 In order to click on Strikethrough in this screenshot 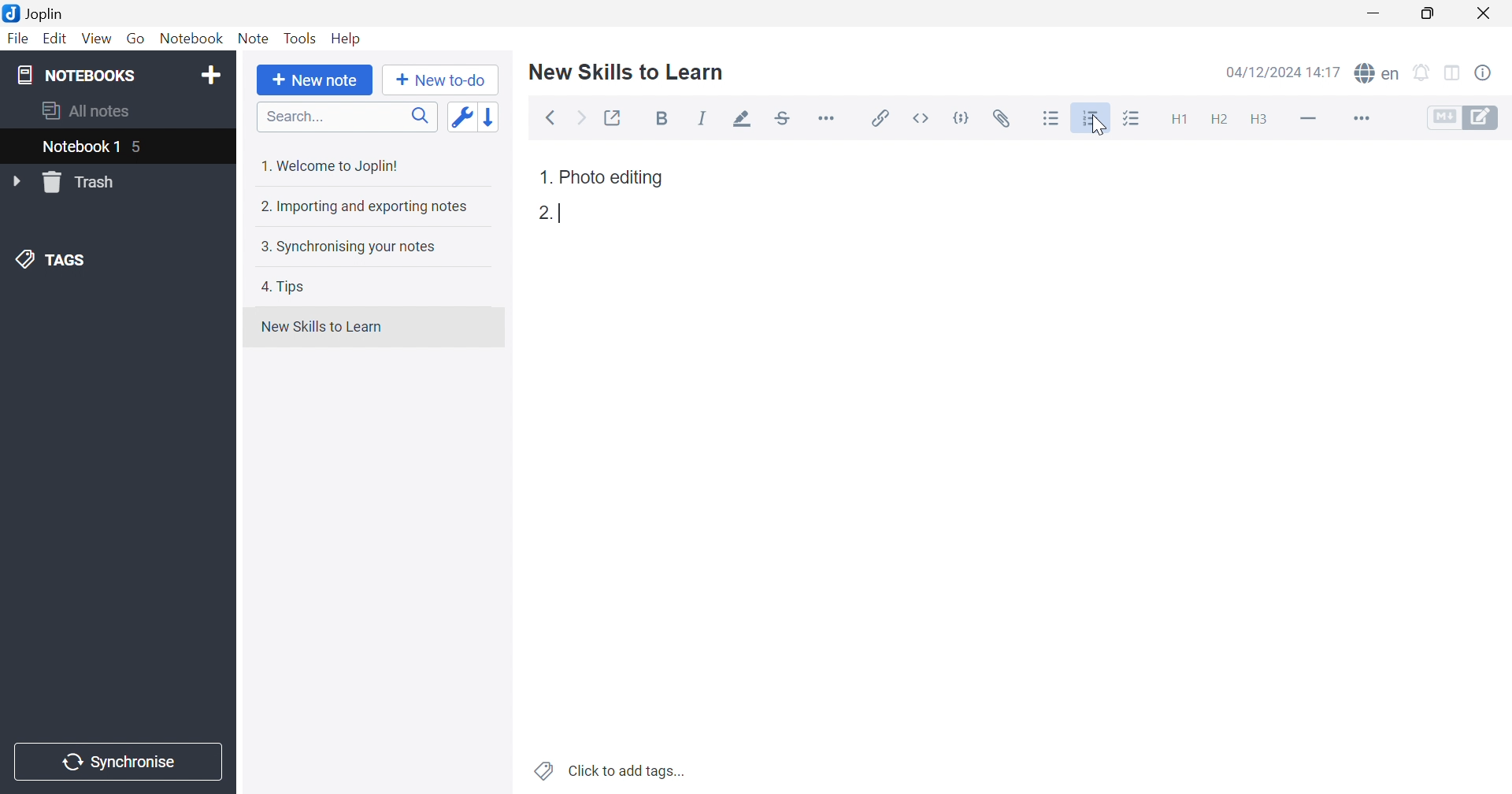, I will do `click(784, 119)`.